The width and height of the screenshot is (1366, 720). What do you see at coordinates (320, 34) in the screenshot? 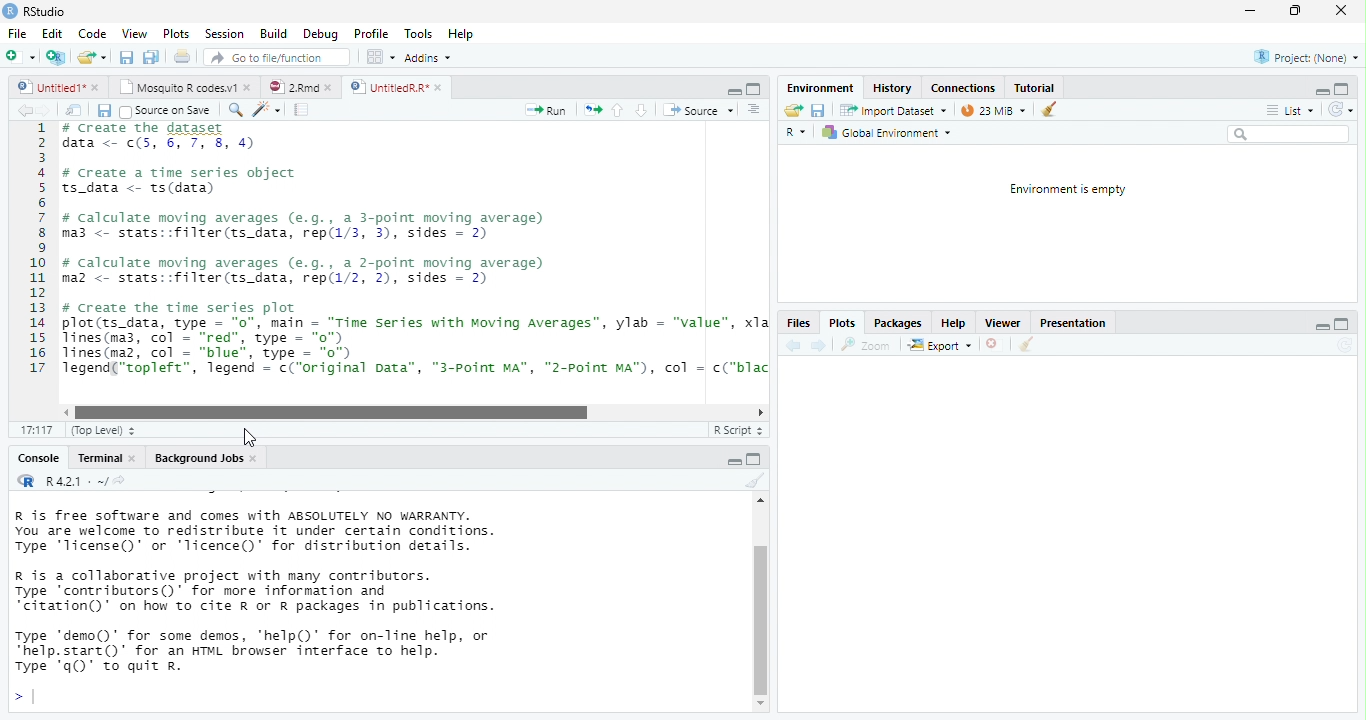
I see `Debug` at bounding box center [320, 34].